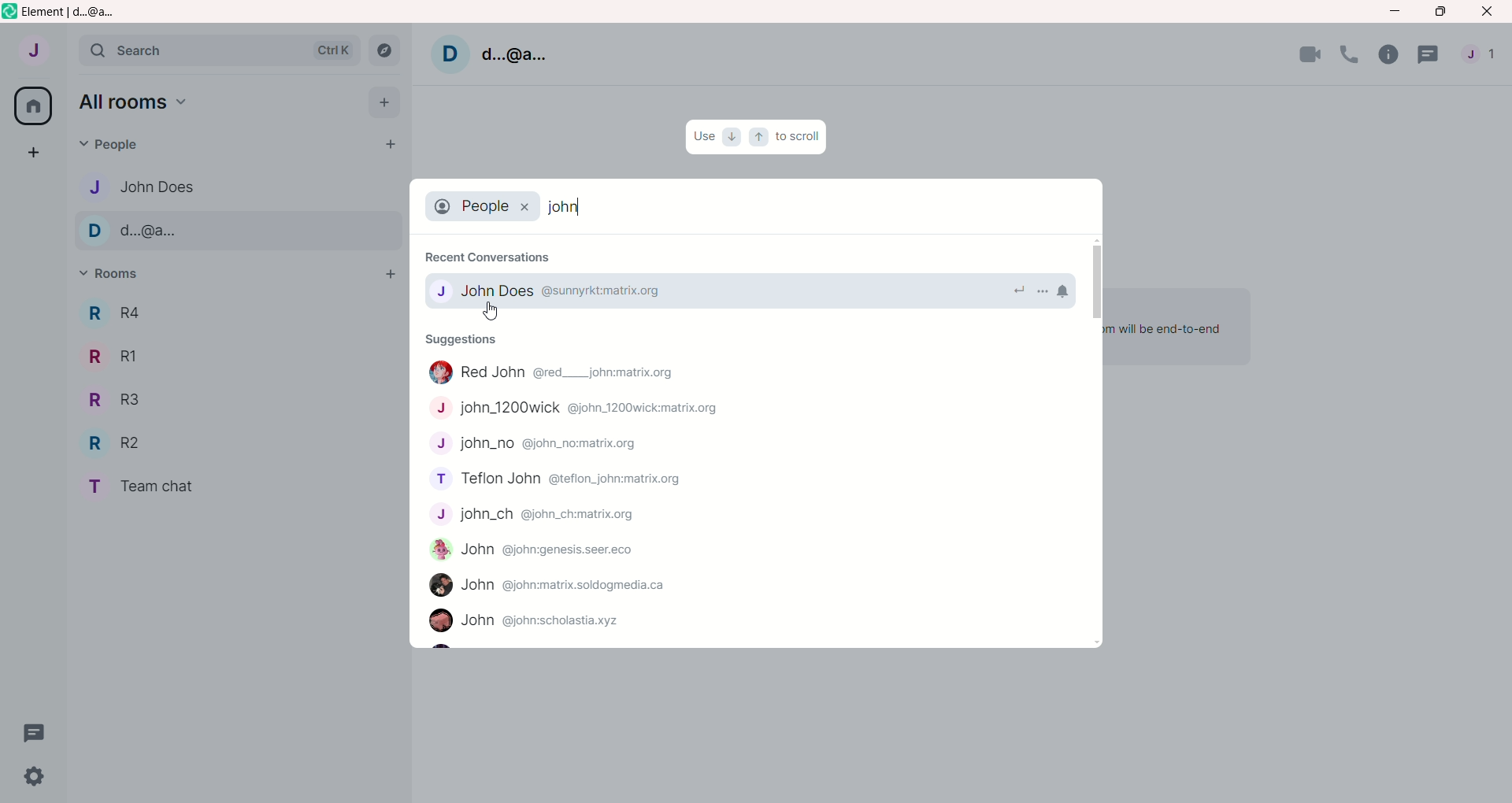 This screenshot has height=803, width=1512. I want to click on R1, so click(114, 355).